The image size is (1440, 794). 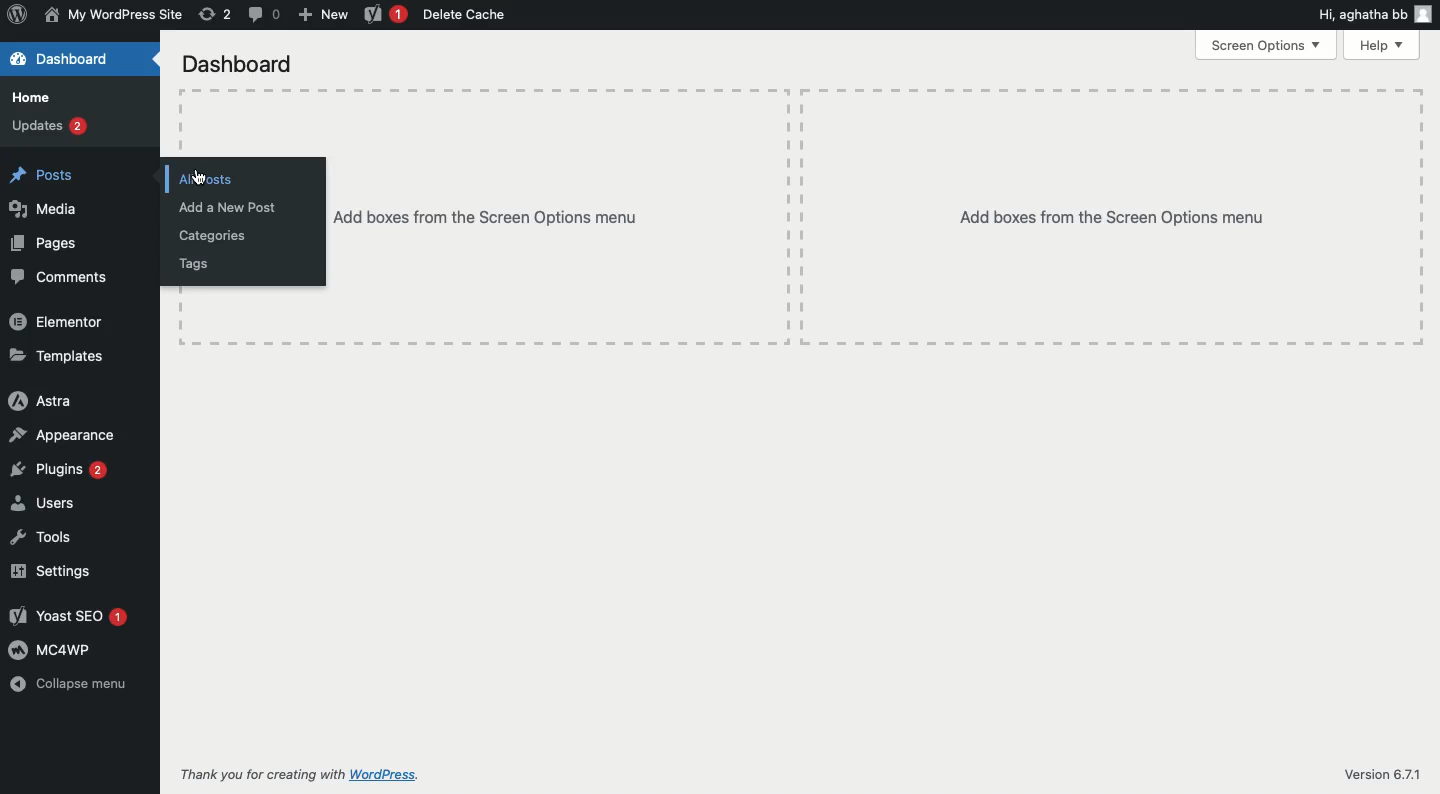 What do you see at coordinates (71, 683) in the screenshot?
I see `Collapse menu` at bounding box center [71, 683].